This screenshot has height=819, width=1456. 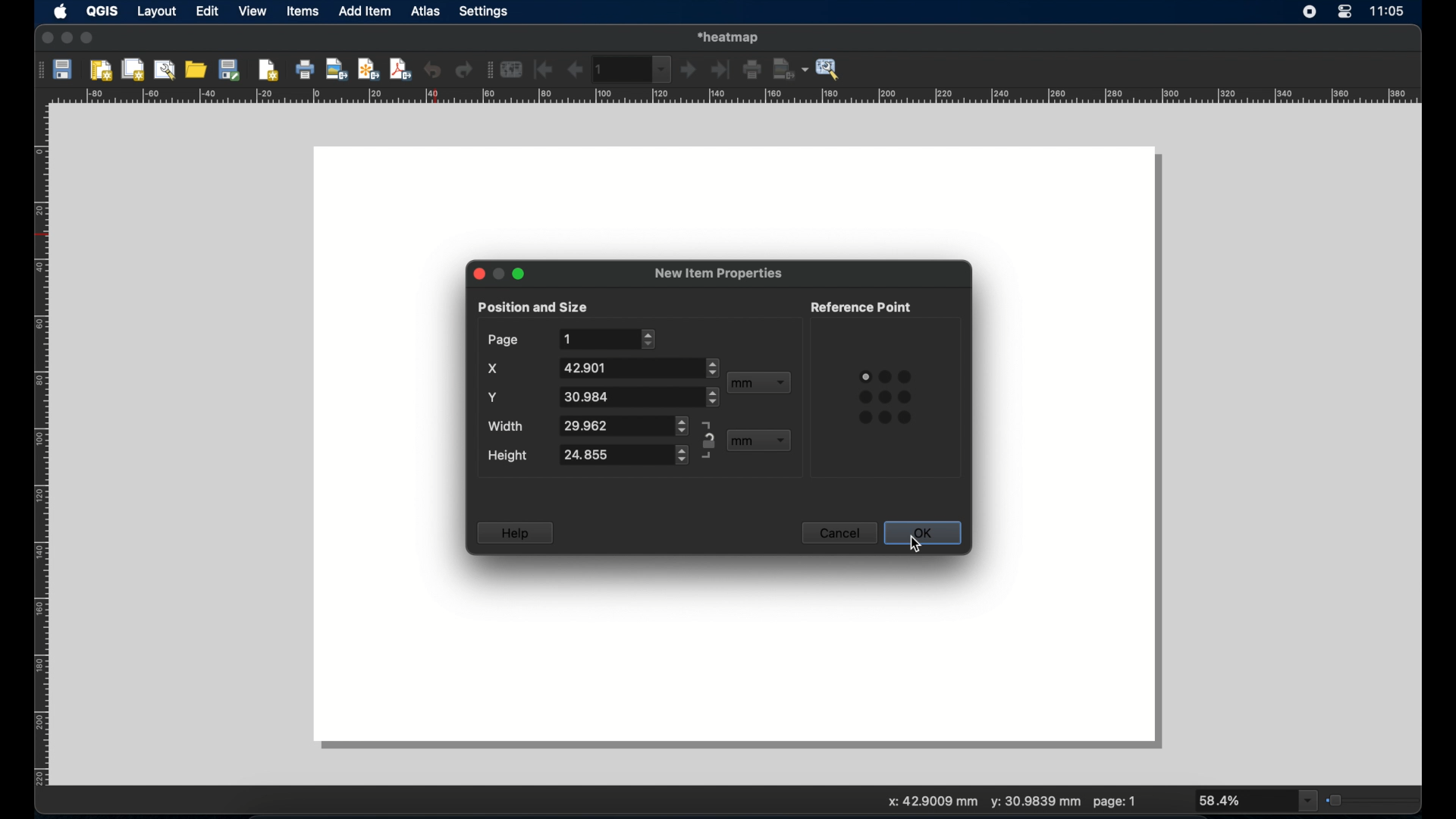 I want to click on atlas, so click(x=428, y=13).